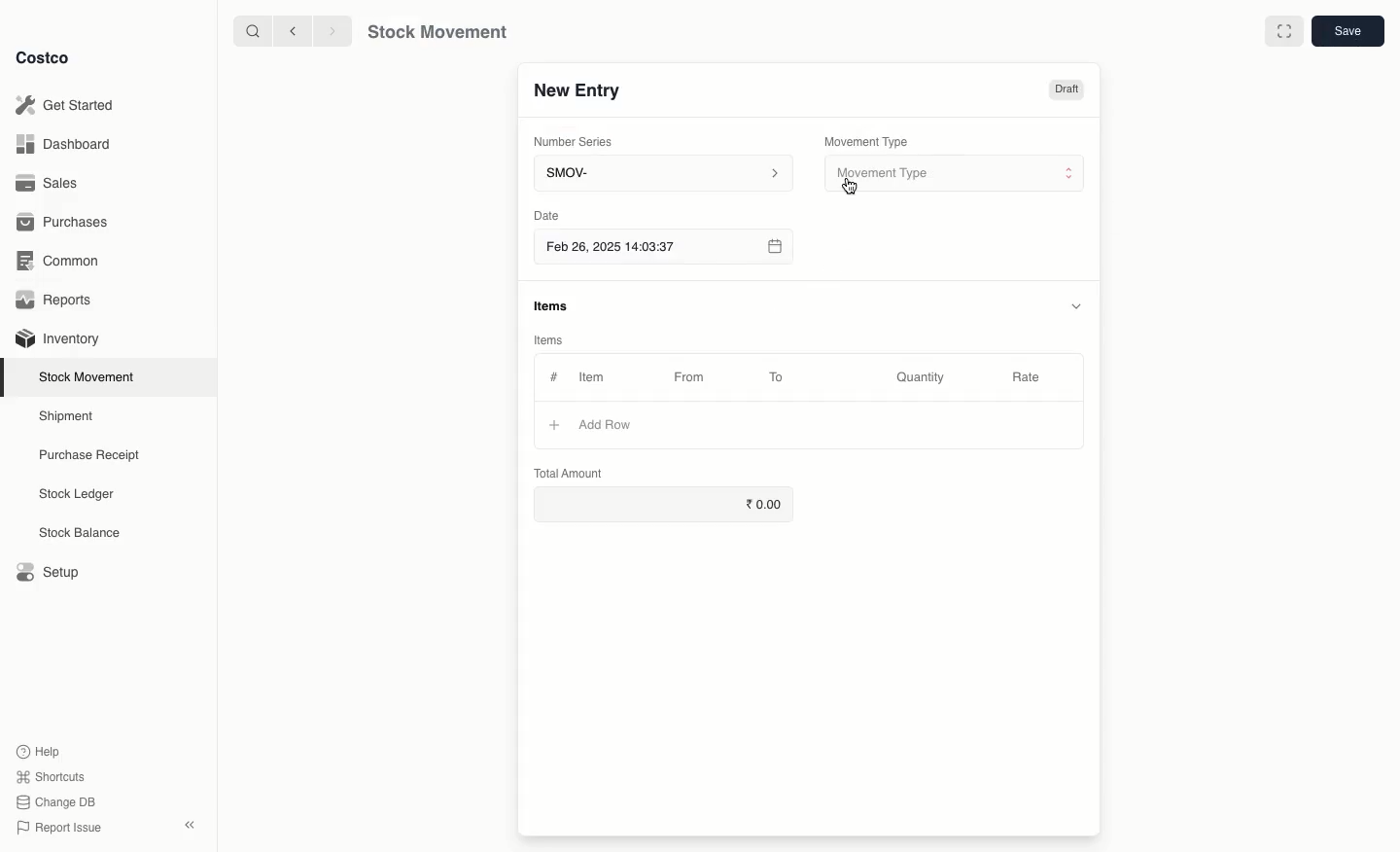 The height and width of the screenshot is (852, 1400). I want to click on Stock Movement, so click(434, 32).